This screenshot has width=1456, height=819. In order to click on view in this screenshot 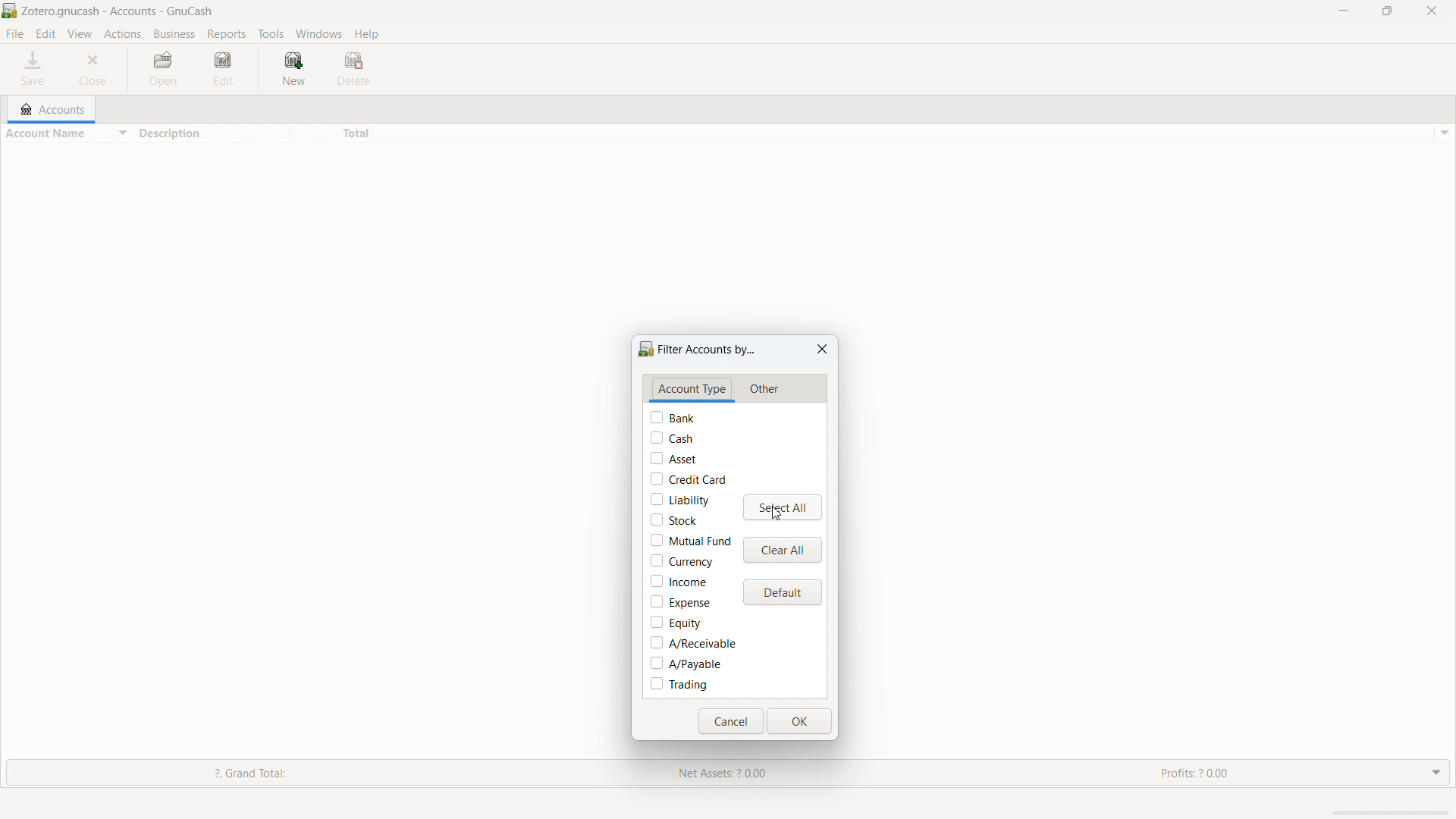, I will do `click(80, 35)`.